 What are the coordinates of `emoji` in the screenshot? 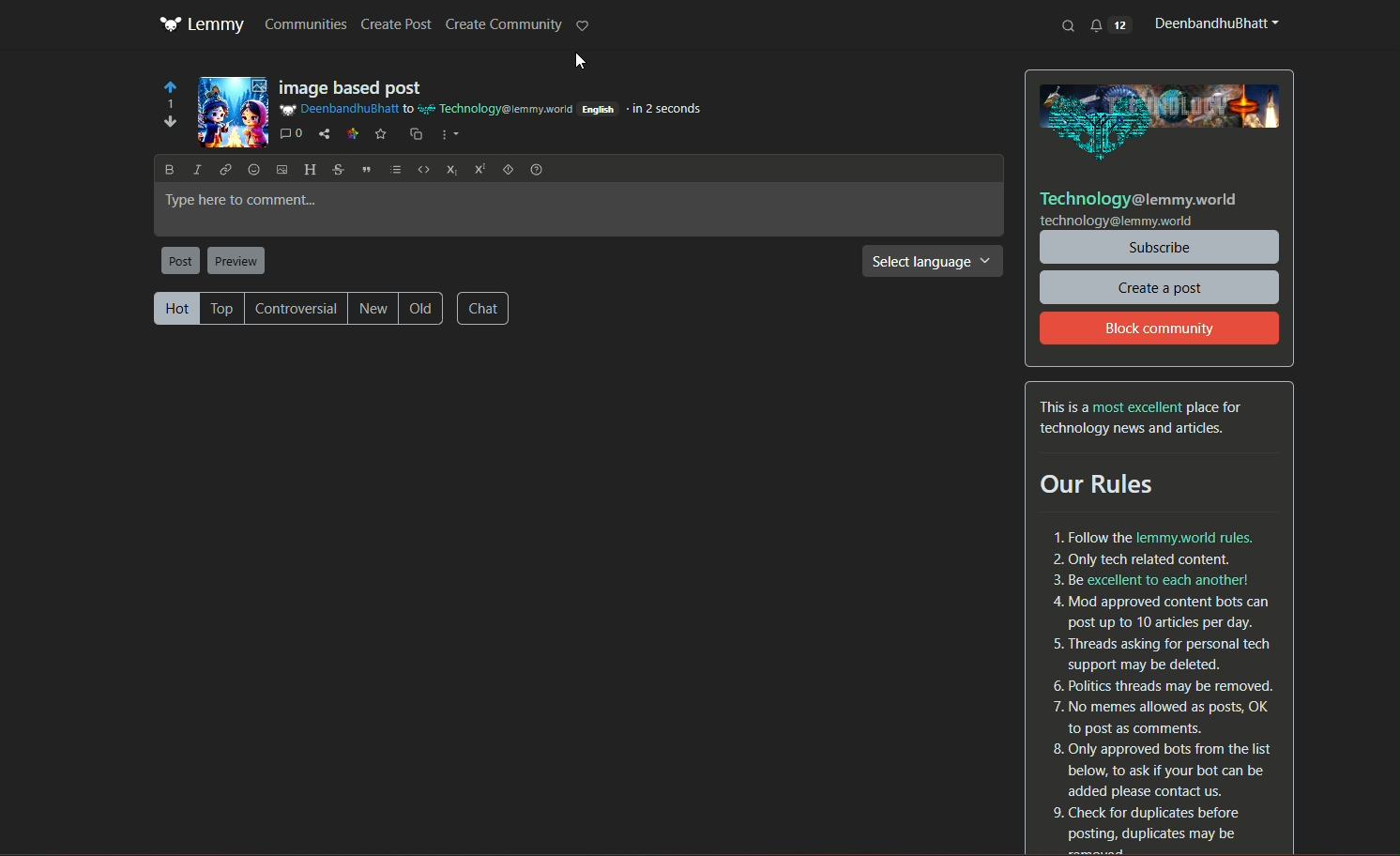 It's located at (251, 168).